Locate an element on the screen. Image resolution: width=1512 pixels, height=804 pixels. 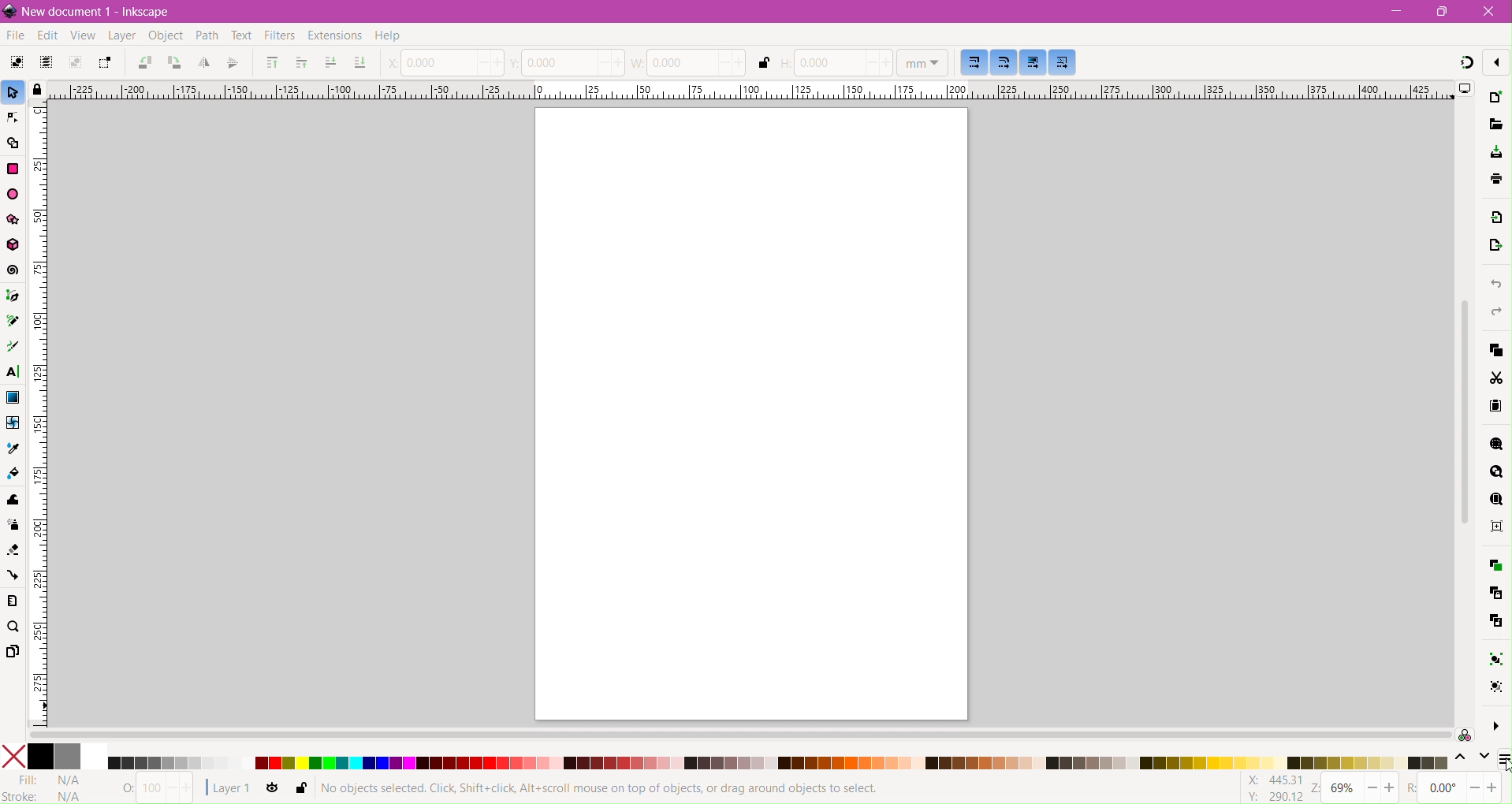
Rectangle Tool is located at coordinates (13, 170).